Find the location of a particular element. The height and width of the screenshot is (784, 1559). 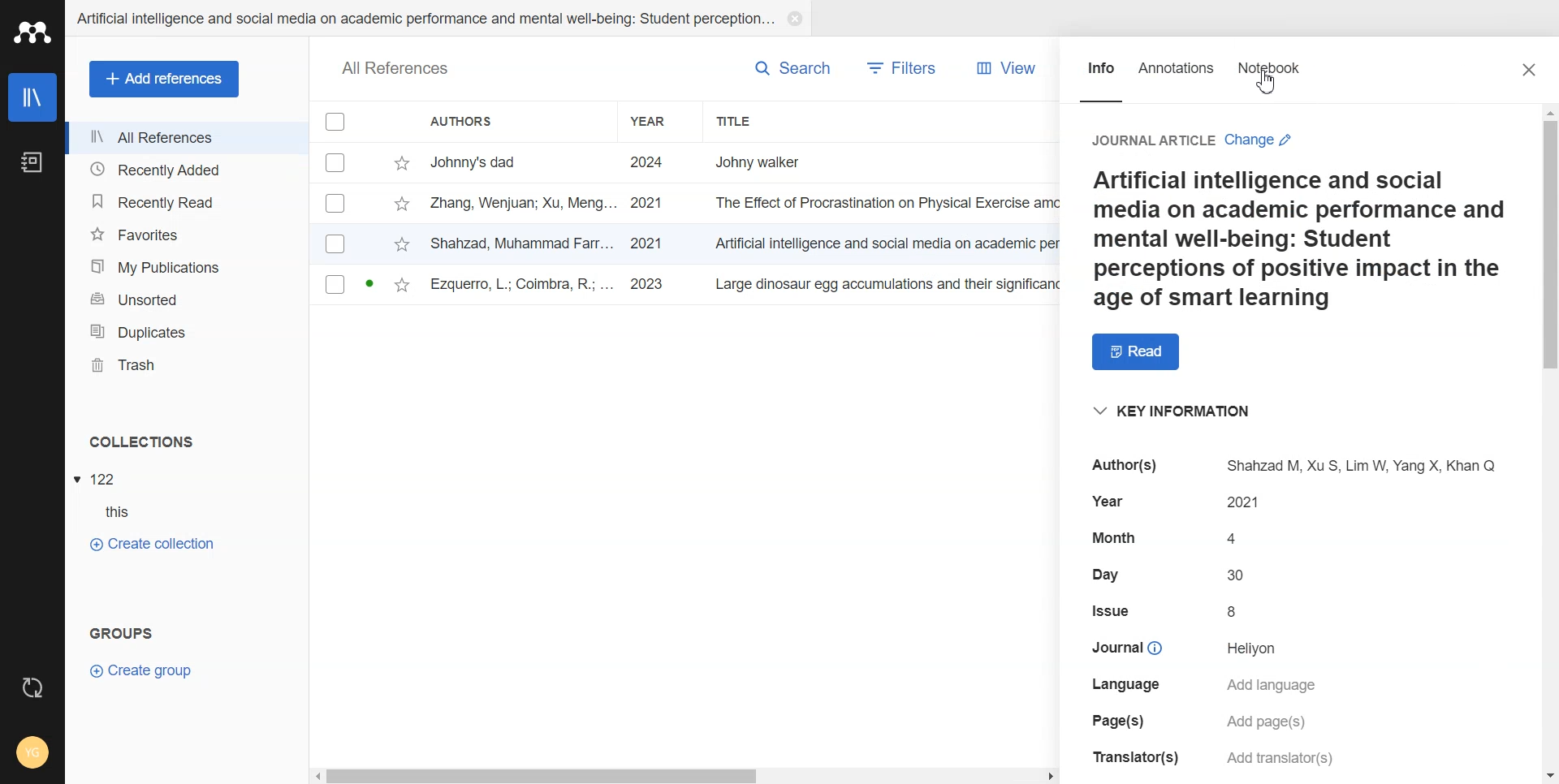

Authors is located at coordinates (514, 121).